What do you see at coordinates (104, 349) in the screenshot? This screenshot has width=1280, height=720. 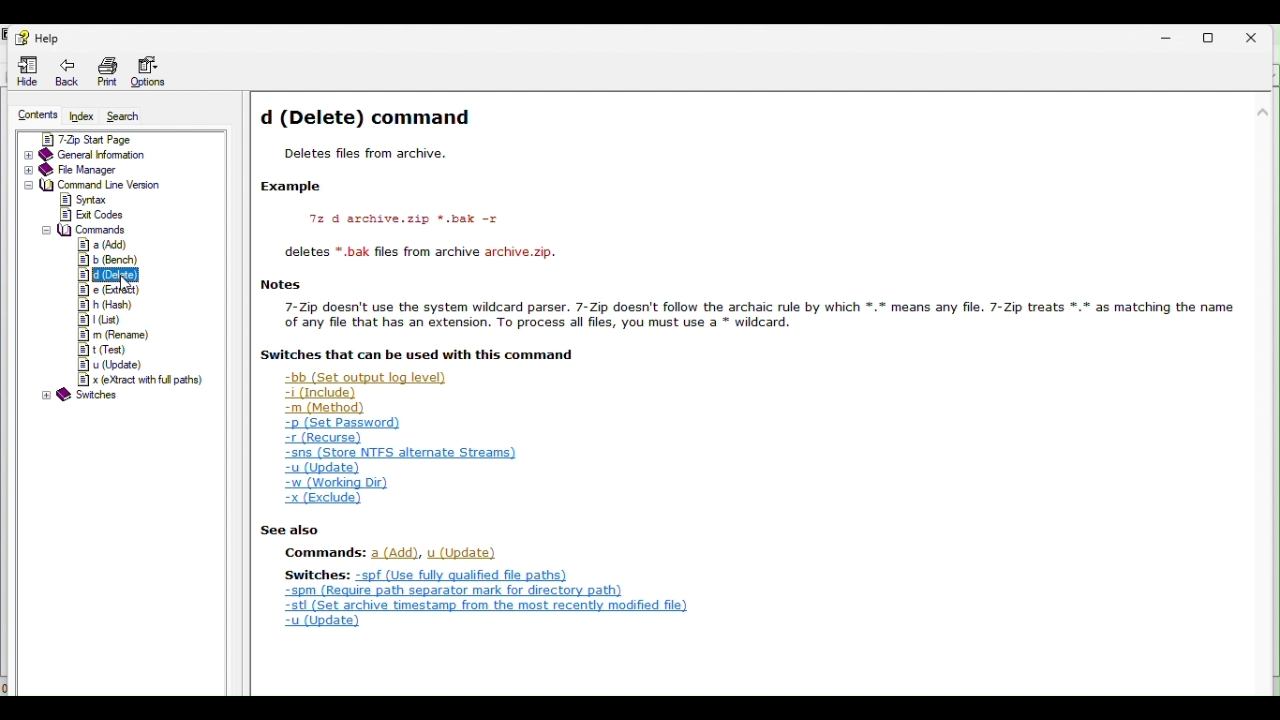 I see `t` at bounding box center [104, 349].